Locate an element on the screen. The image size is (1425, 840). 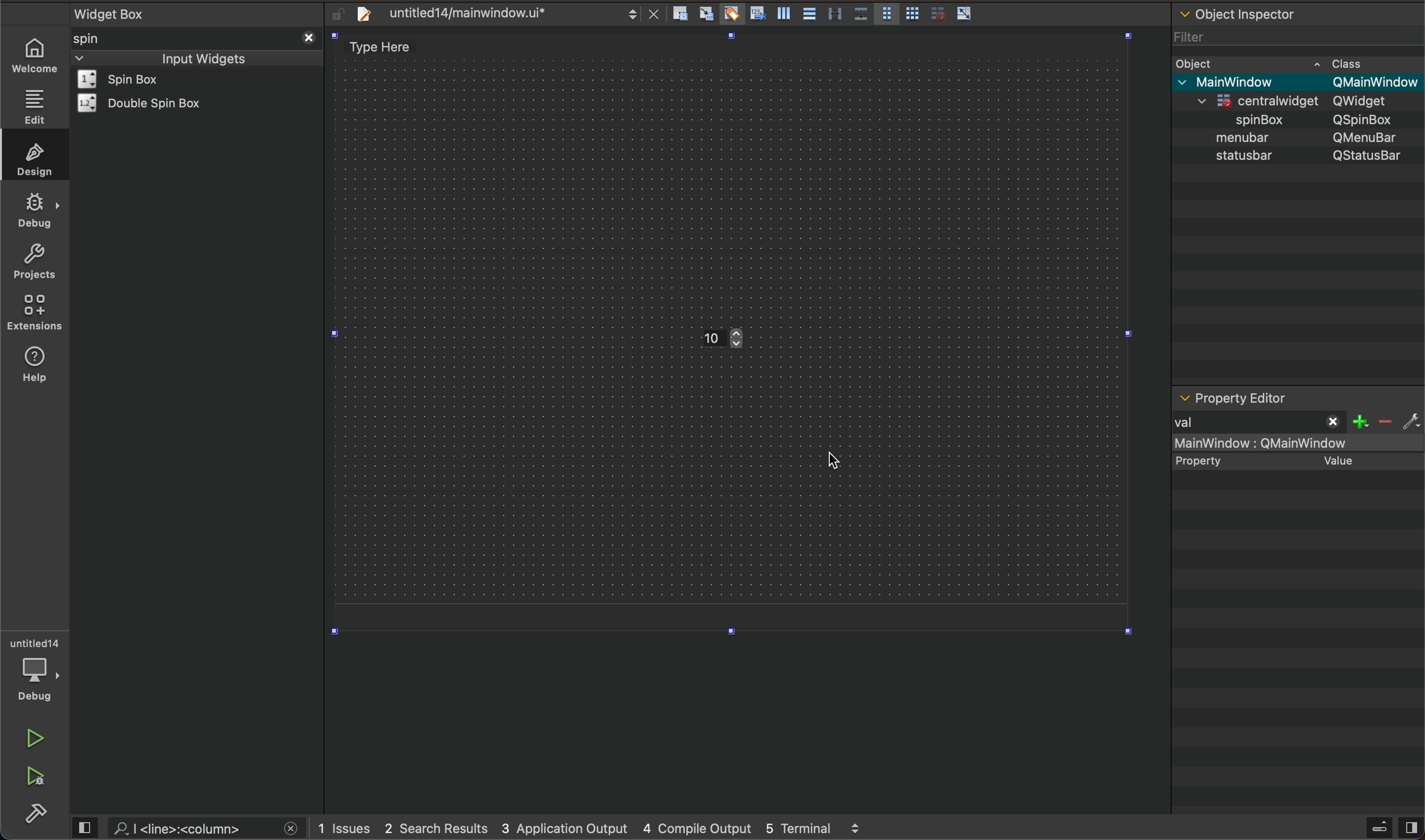
layout action is located at coordinates (827, 11).